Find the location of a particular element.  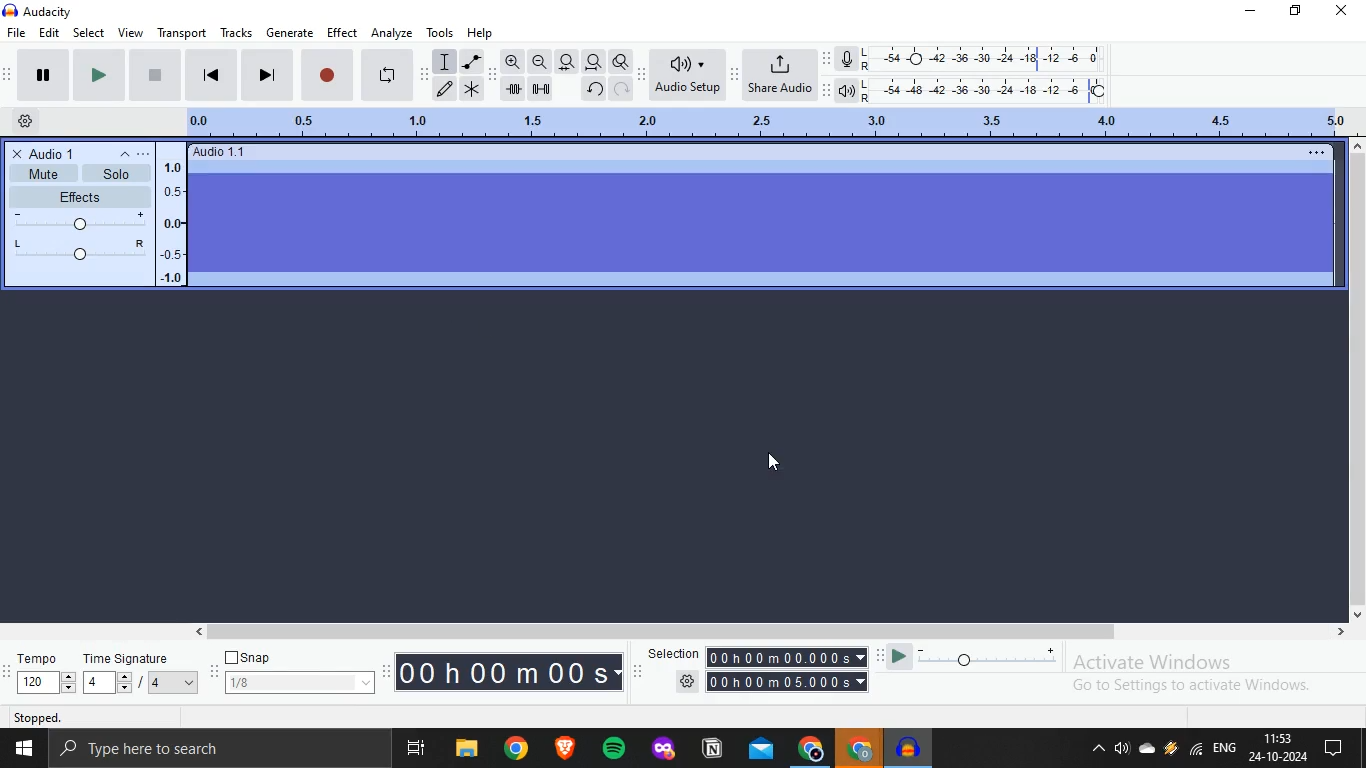

File is located at coordinates (17, 33).